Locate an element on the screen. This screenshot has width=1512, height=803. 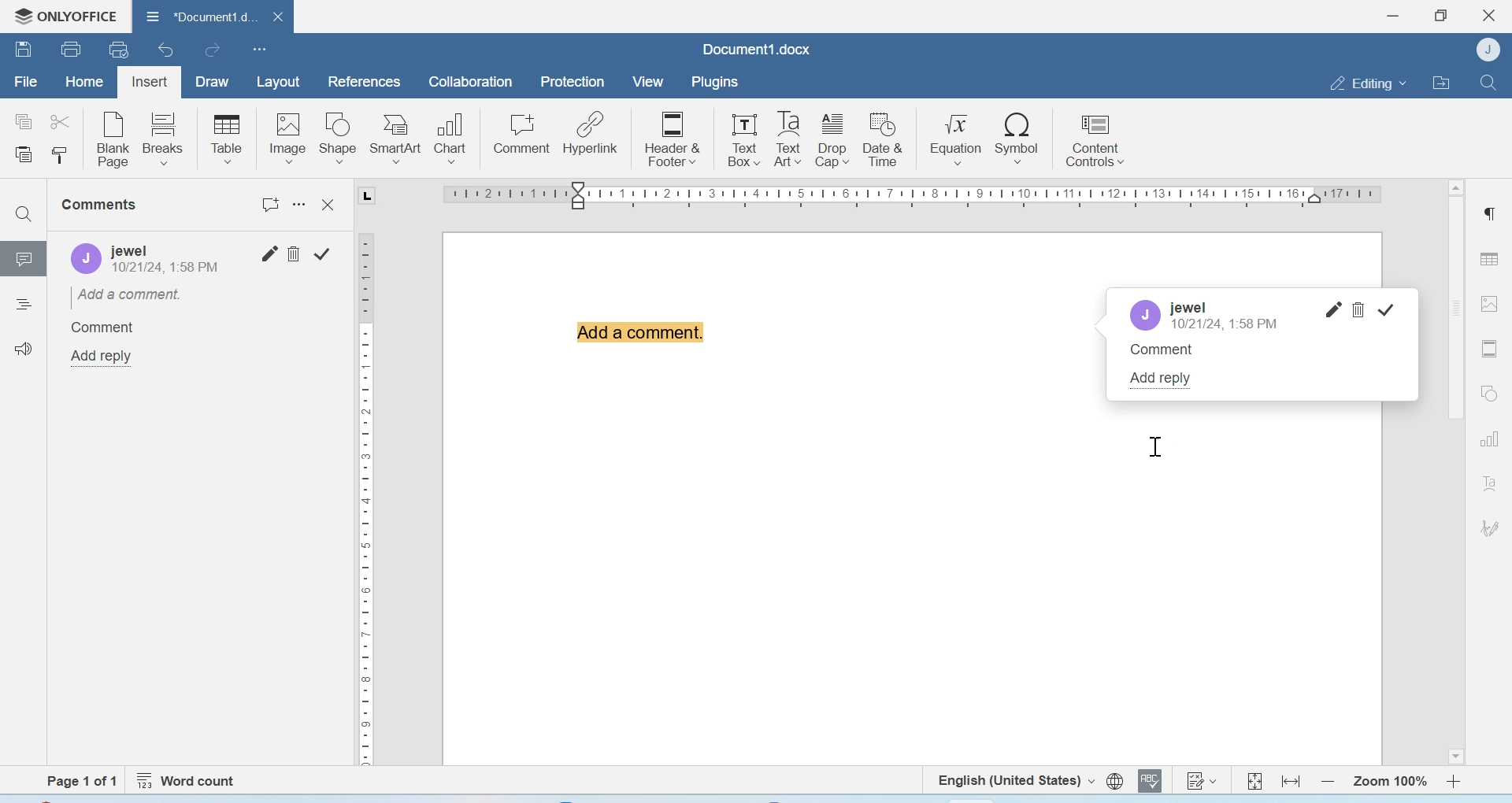
Copy style is located at coordinates (59, 156).